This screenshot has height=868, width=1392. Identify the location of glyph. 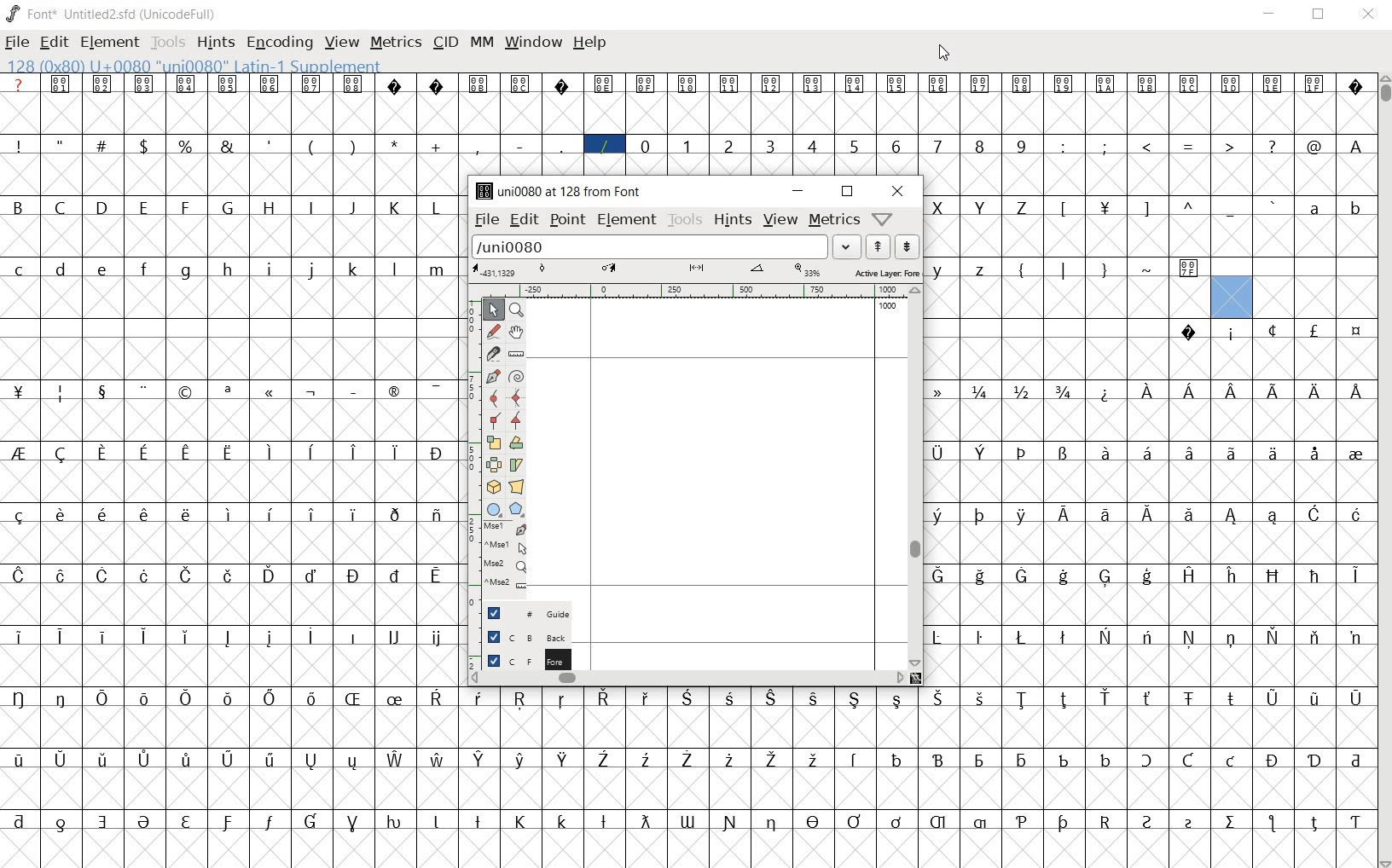
(1357, 211).